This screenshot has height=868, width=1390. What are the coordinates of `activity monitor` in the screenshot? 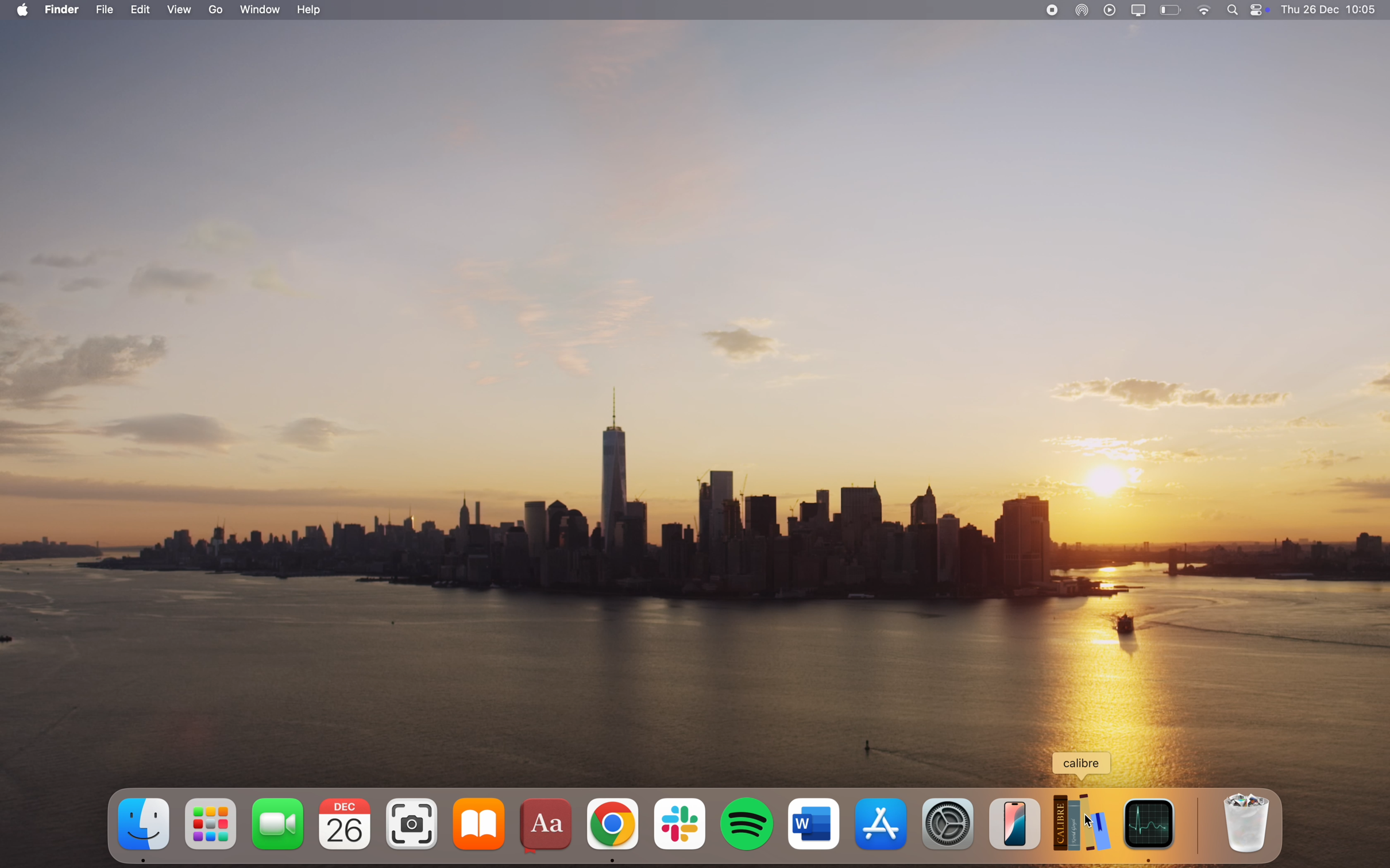 It's located at (1152, 829).